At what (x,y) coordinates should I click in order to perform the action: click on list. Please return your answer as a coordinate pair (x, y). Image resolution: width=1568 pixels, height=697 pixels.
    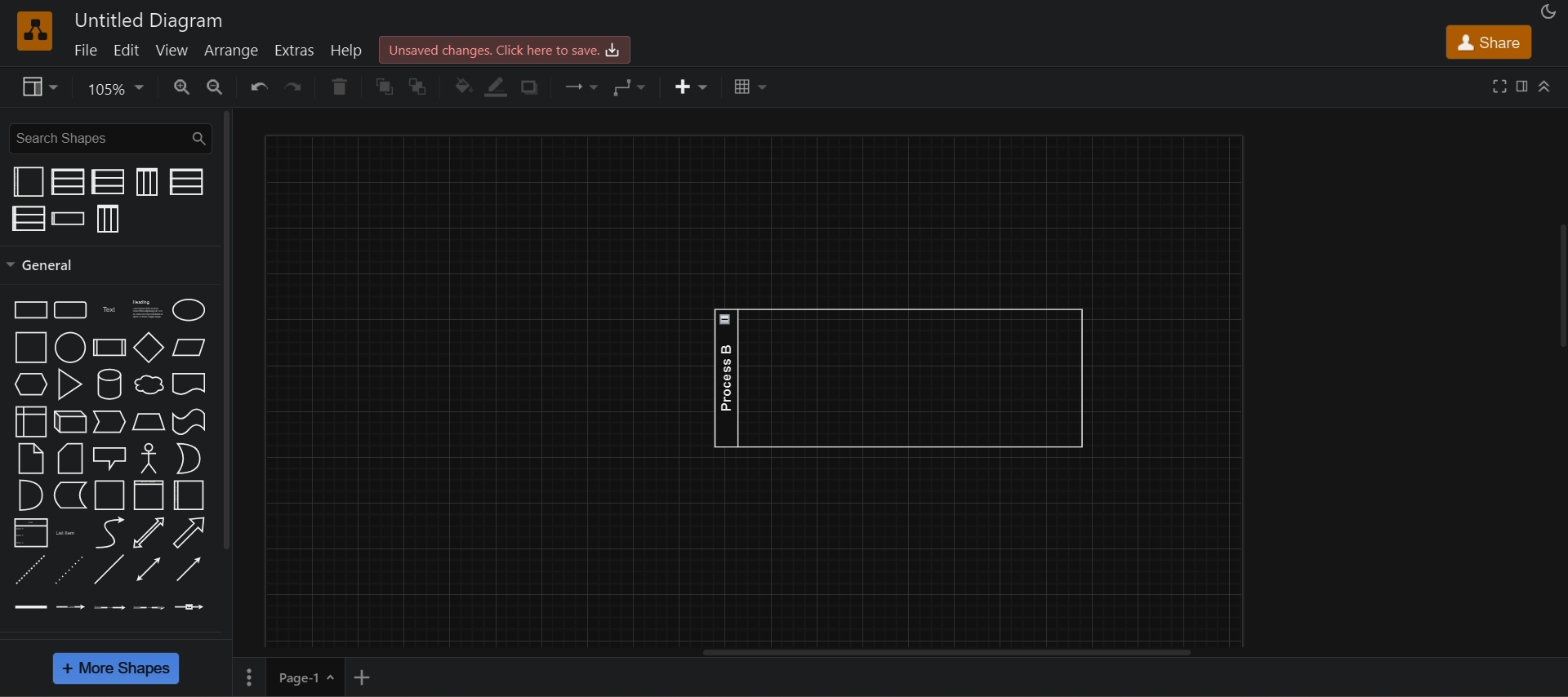
    Looking at the image, I should click on (30, 534).